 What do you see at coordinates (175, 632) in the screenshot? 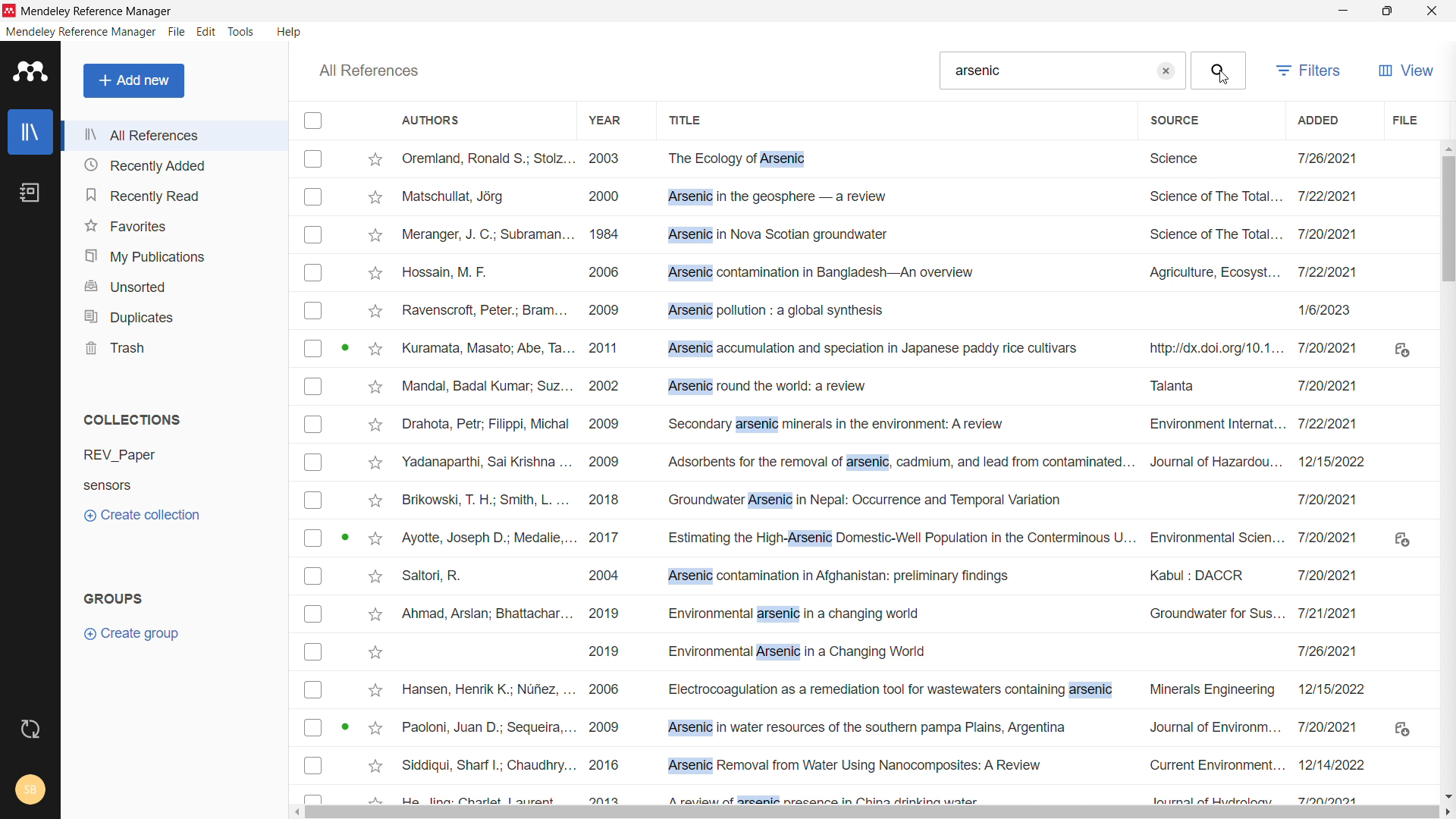
I see `create group` at bounding box center [175, 632].